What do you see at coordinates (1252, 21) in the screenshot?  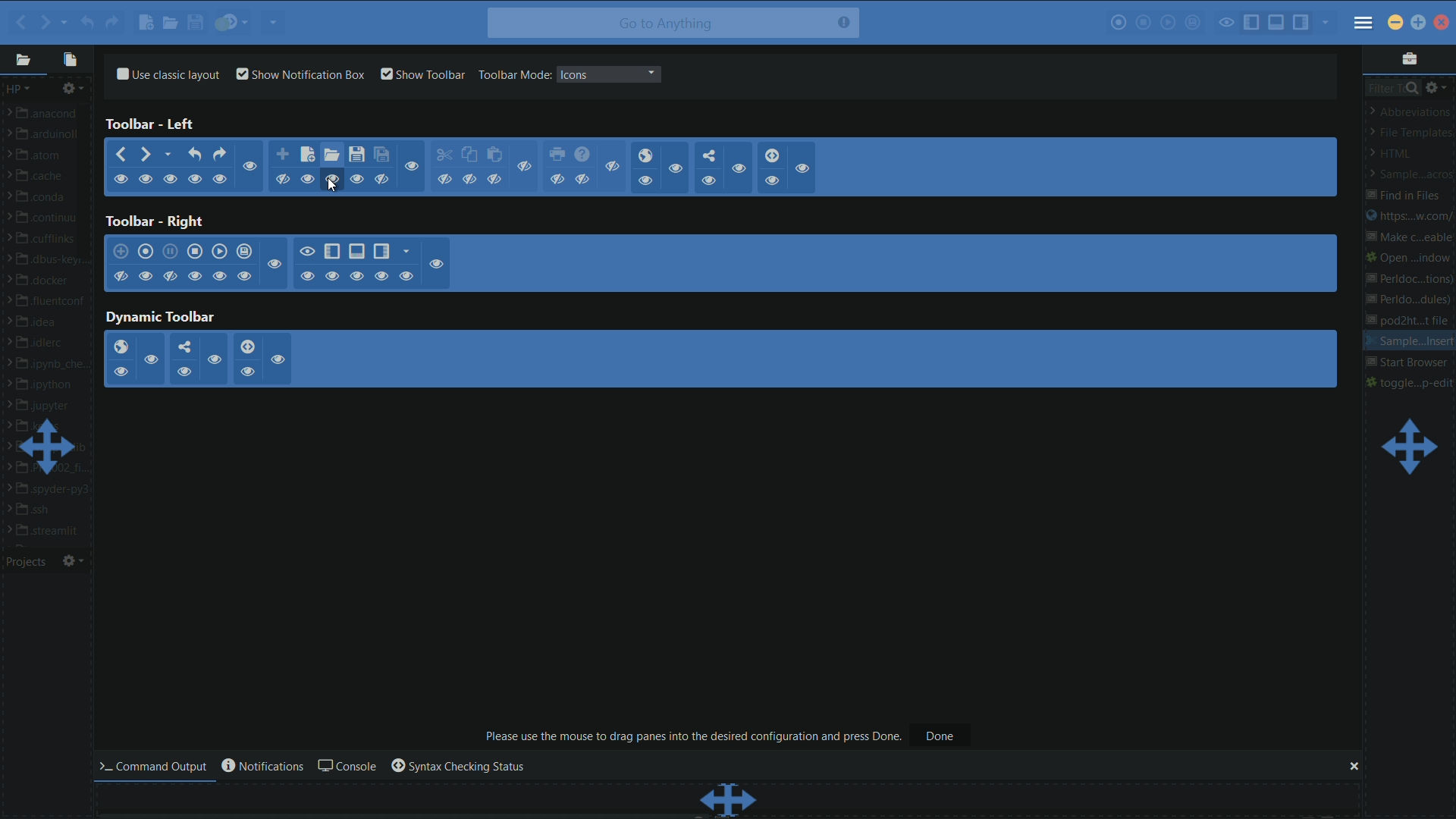 I see `show/hide left pane ` at bounding box center [1252, 21].